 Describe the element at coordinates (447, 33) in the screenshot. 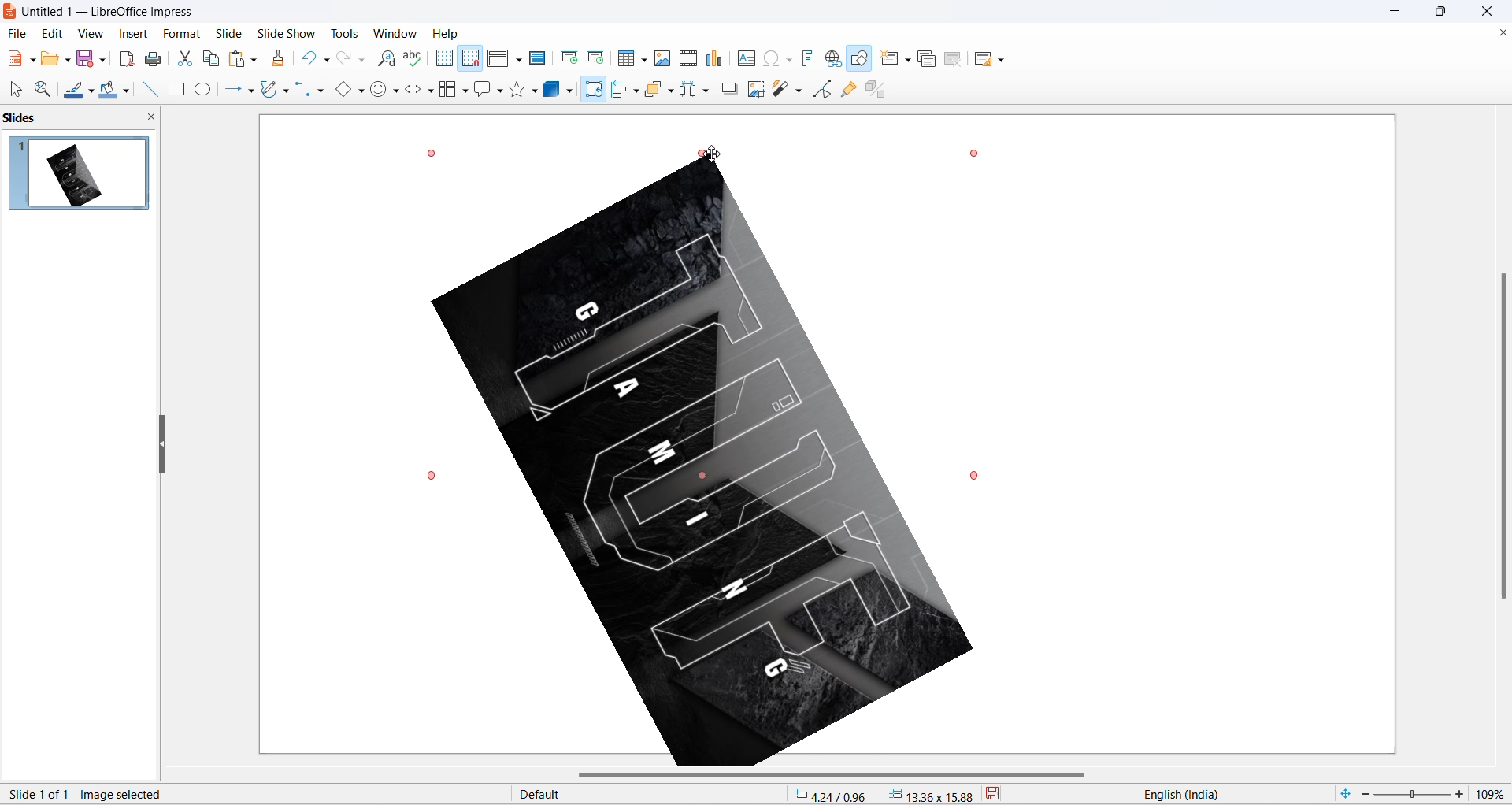

I see `help` at that location.